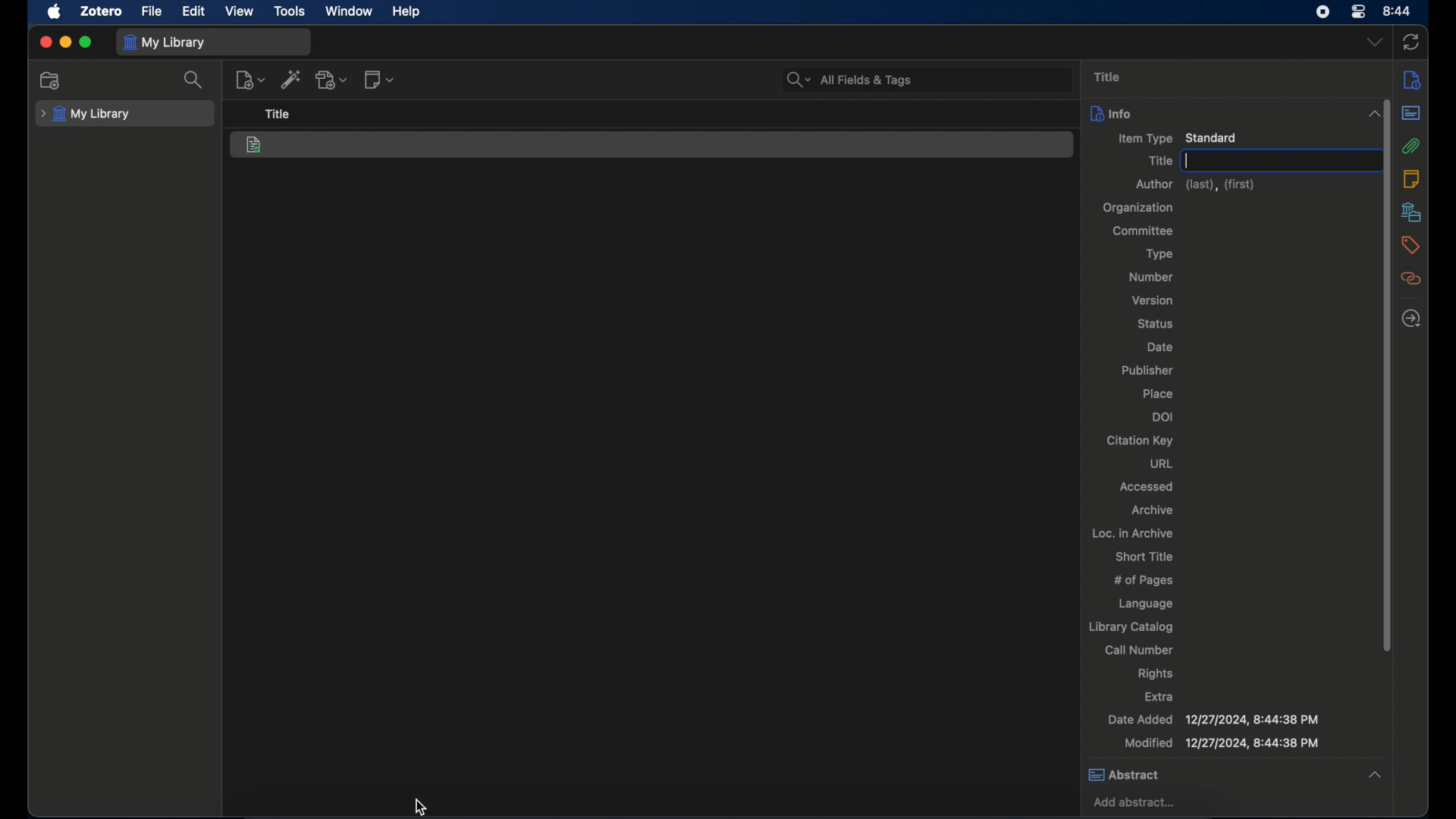 This screenshot has width=1456, height=819. I want to click on status, so click(1155, 325).